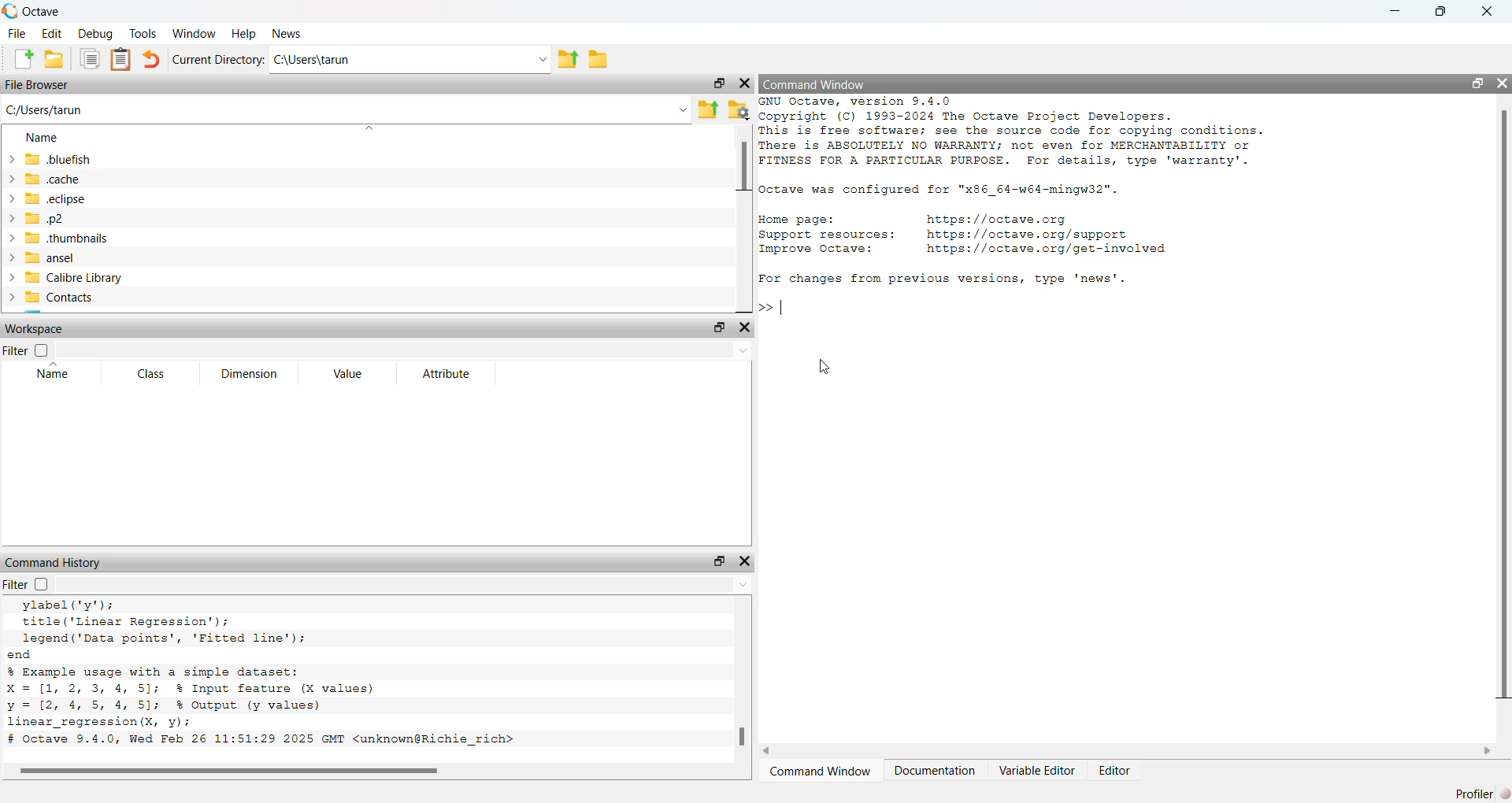  I want to click on code to add title, so click(170, 622).